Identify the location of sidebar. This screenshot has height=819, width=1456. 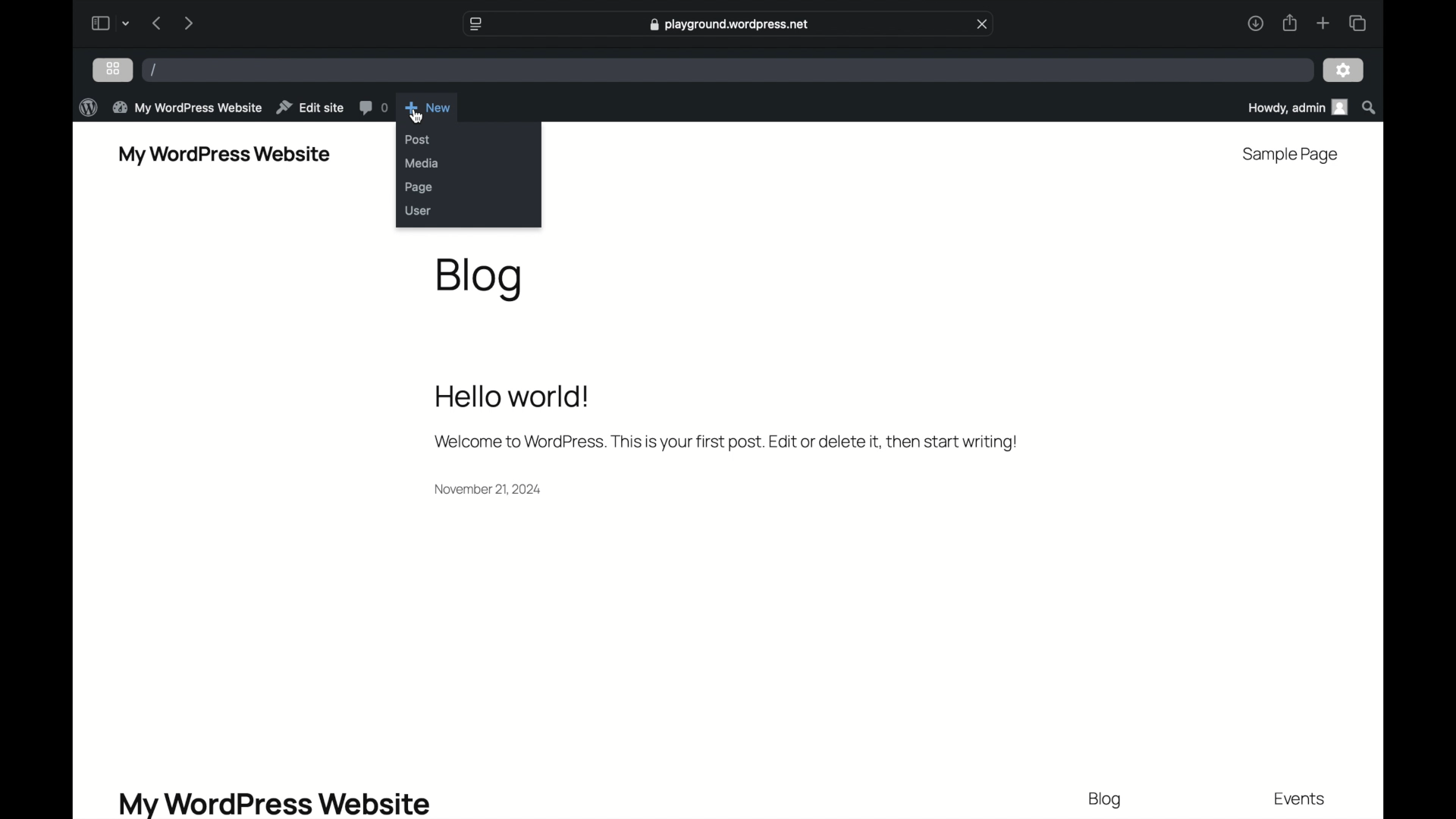
(99, 23).